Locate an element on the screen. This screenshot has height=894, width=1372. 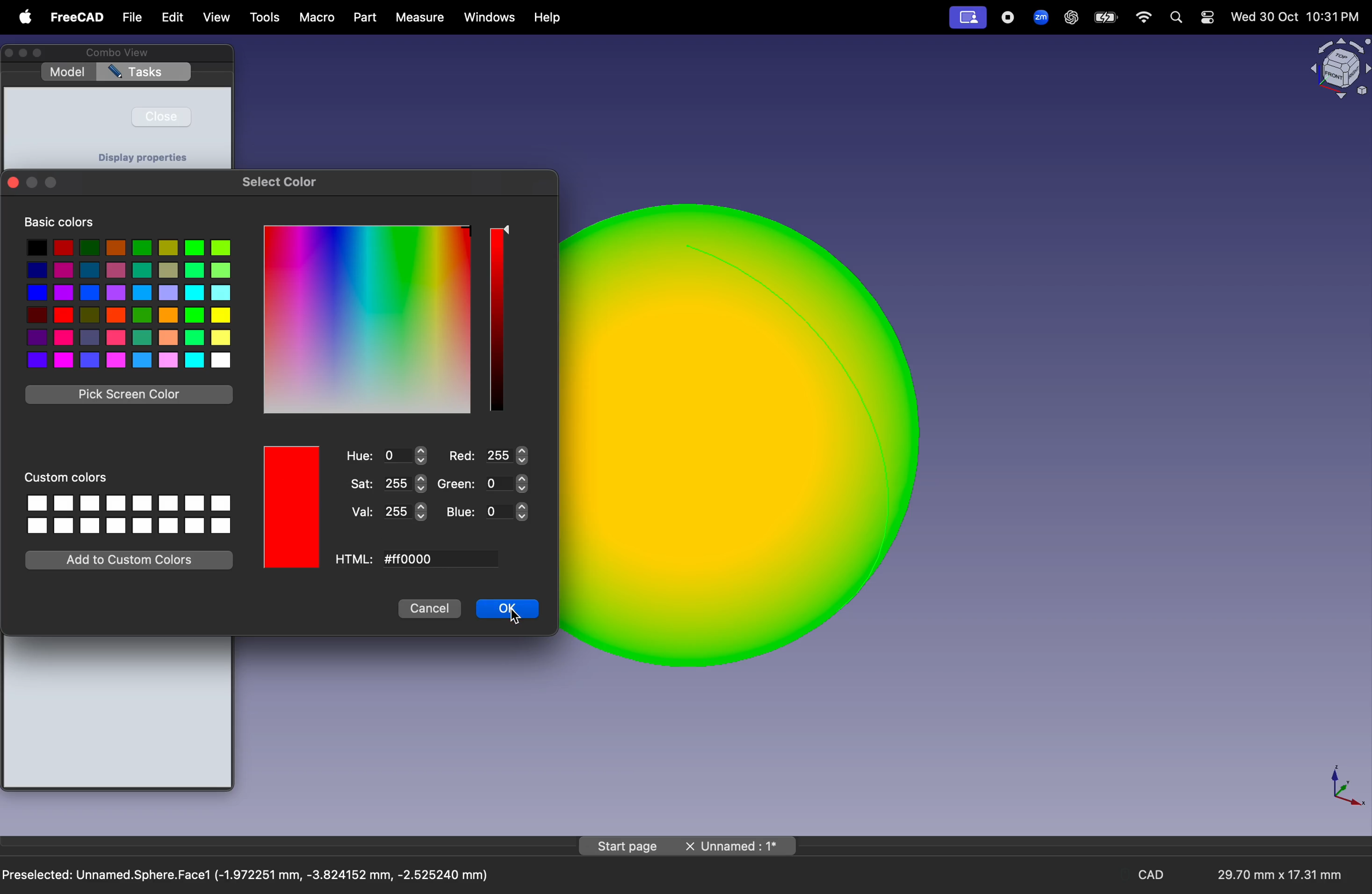
red is located at coordinates (487, 455).